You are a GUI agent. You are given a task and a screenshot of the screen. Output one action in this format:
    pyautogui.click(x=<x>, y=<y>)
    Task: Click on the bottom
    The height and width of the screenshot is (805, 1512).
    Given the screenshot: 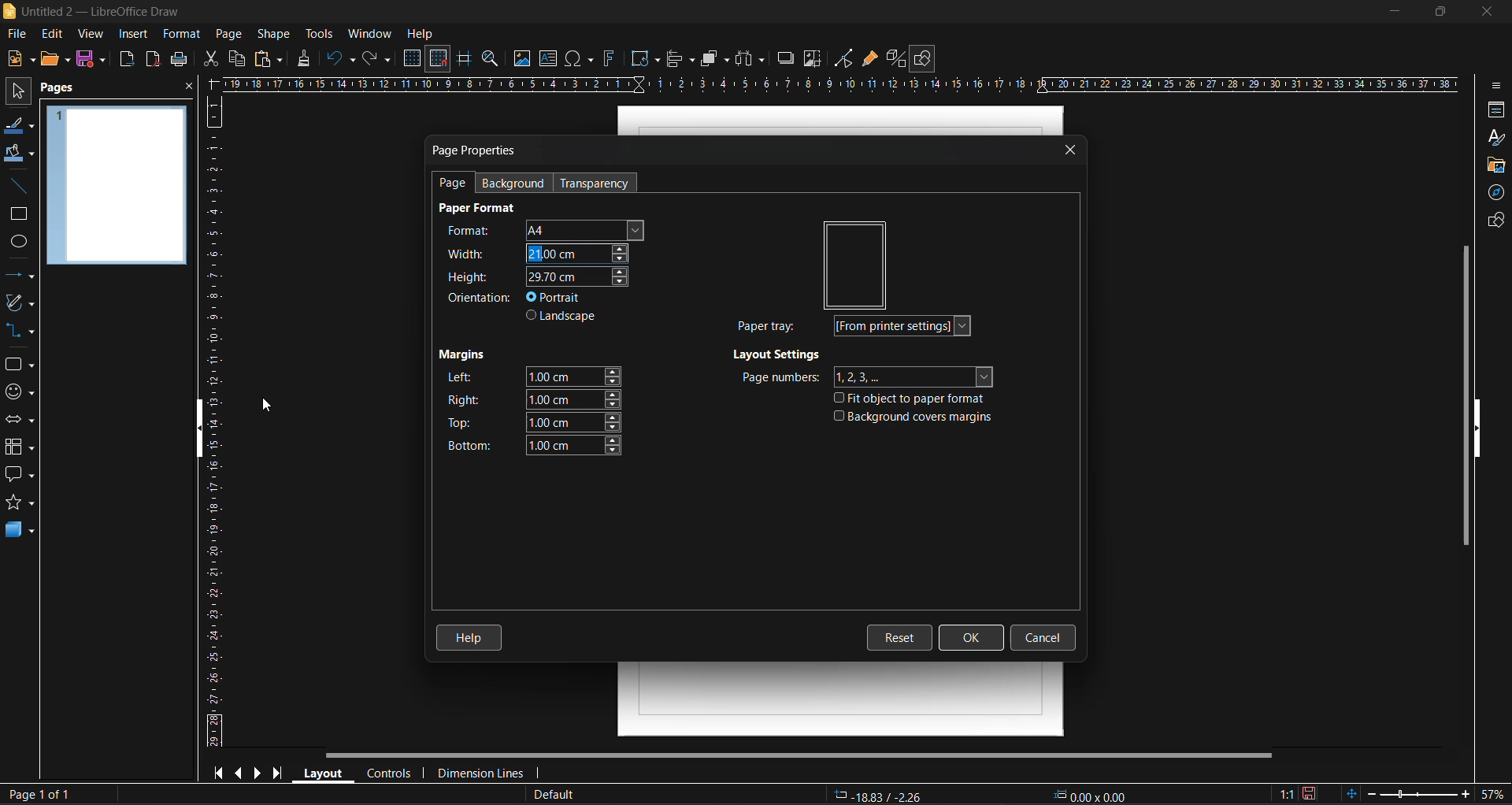 What is the action you would take?
    pyautogui.click(x=529, y=444)
    